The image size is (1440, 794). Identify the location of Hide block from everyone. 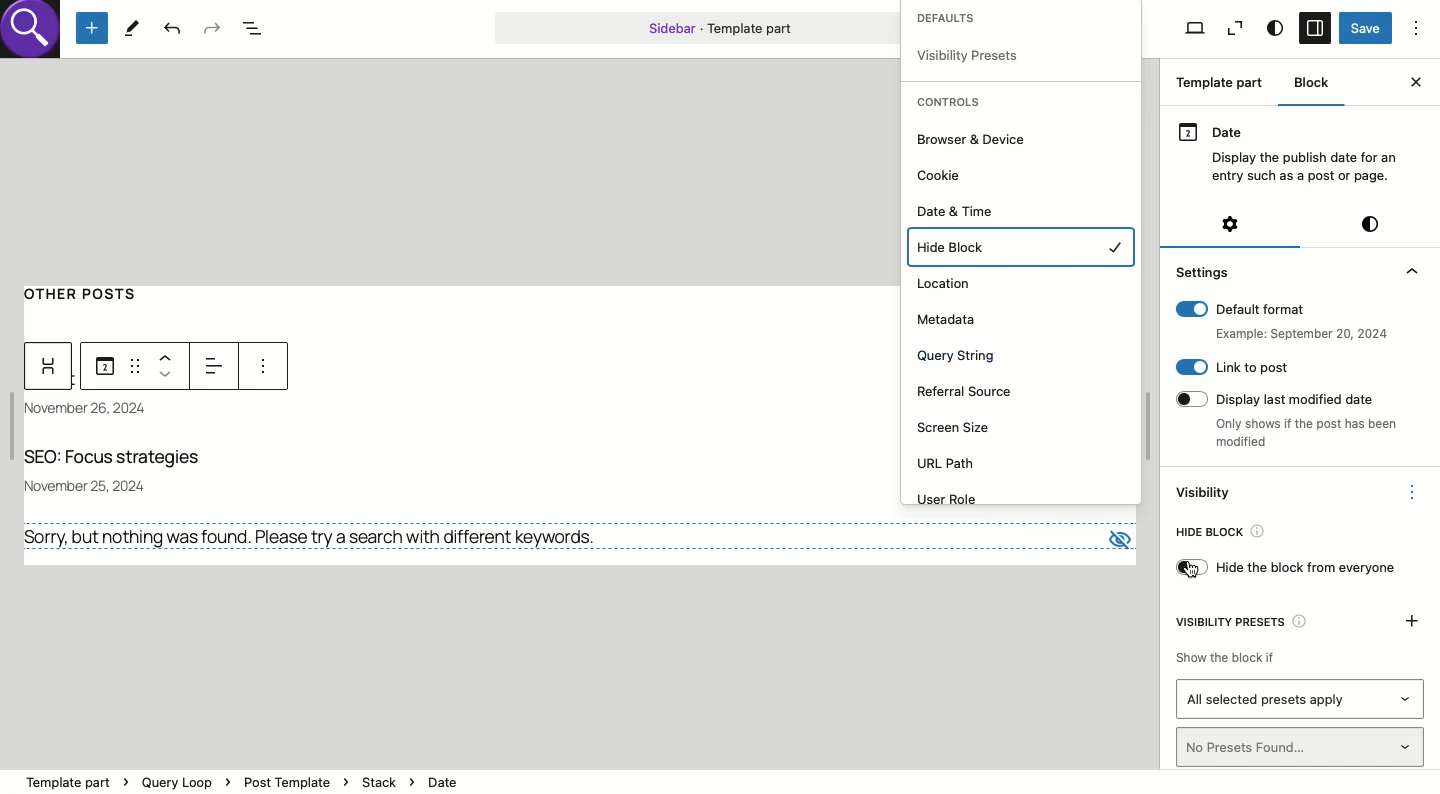
(1287, 568).